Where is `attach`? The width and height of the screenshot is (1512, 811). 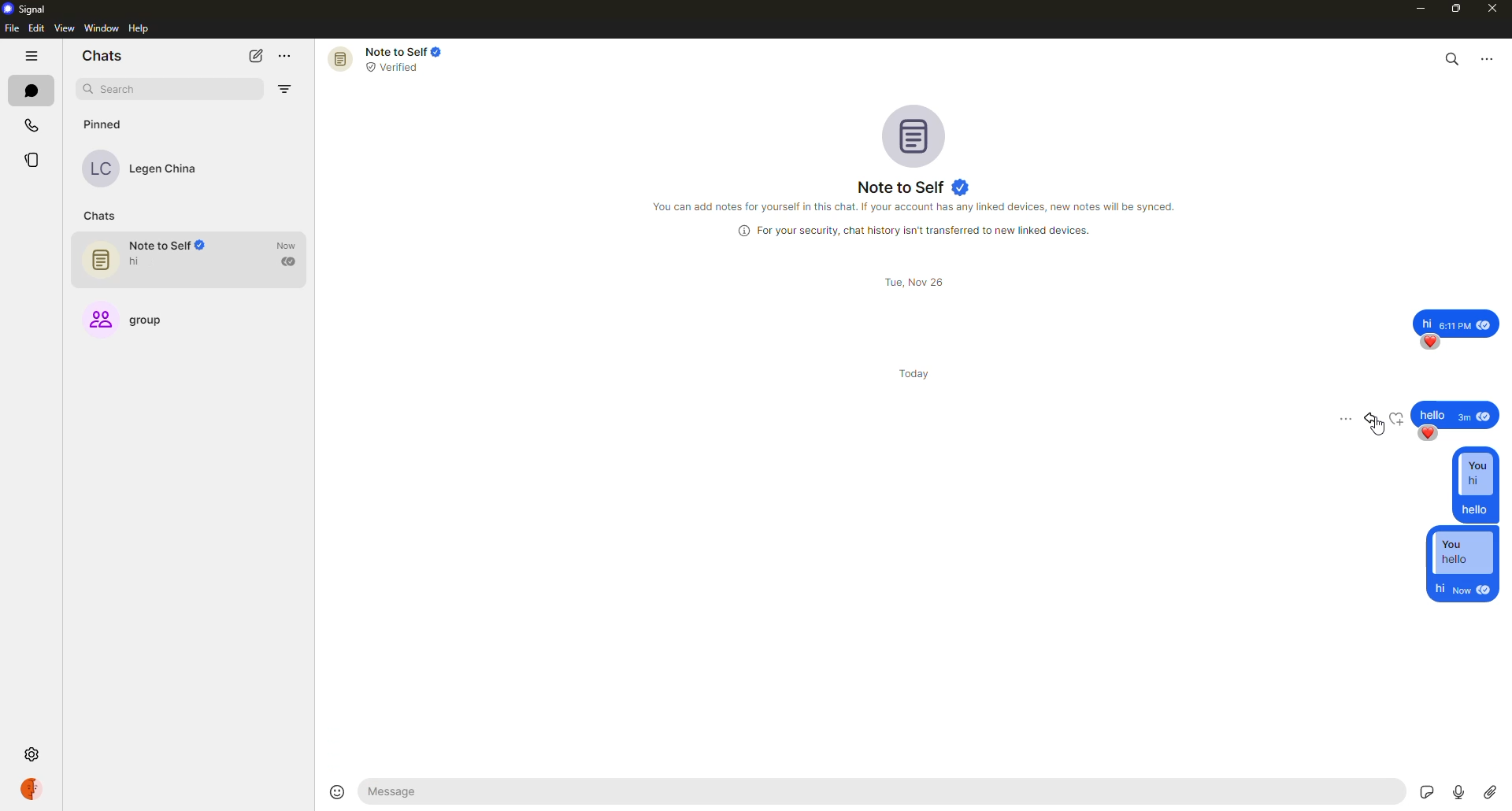 attach is located at coordinates (1492, 791).